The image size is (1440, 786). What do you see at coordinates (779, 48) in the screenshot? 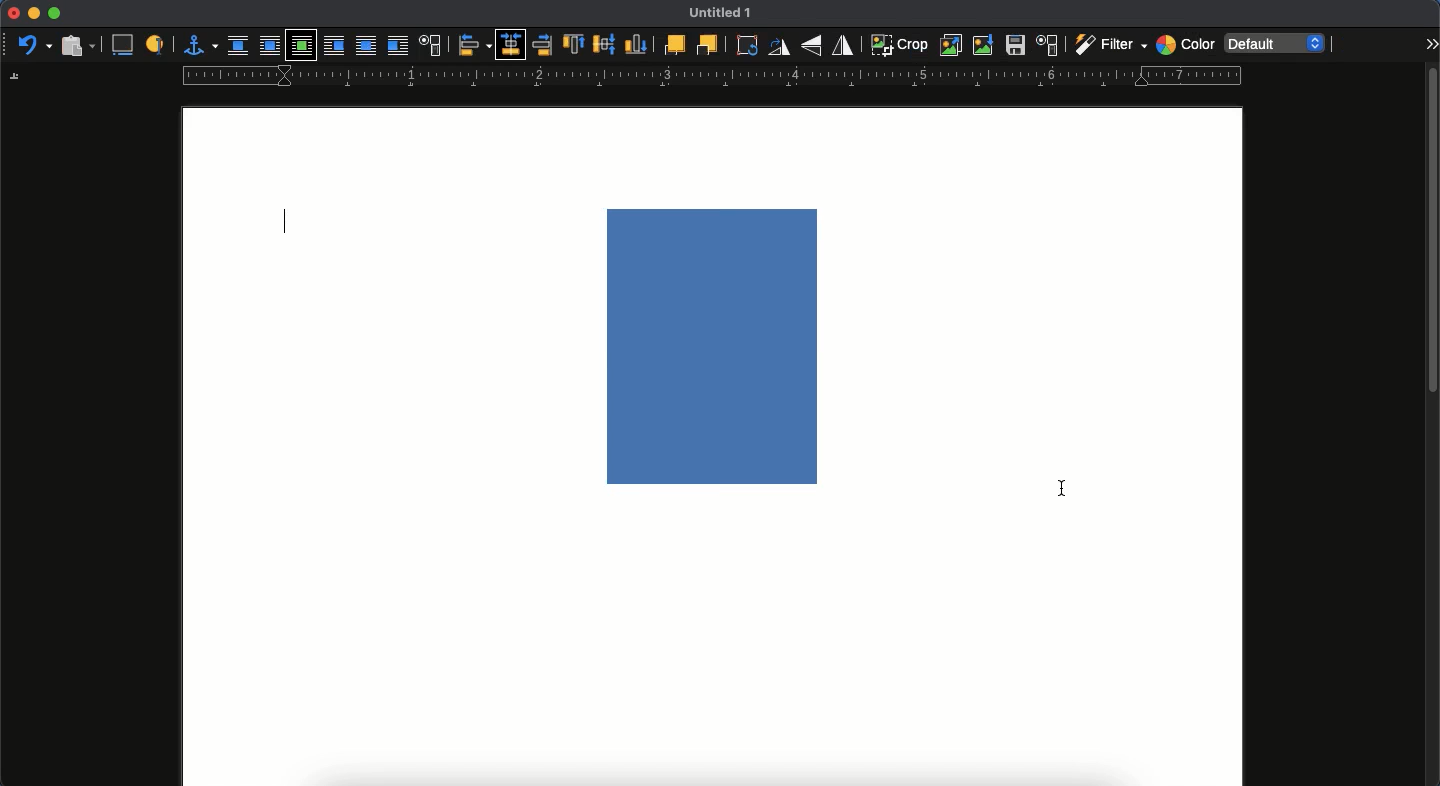
I see `rotate 90 degree right` at bounding box center [779, 48].